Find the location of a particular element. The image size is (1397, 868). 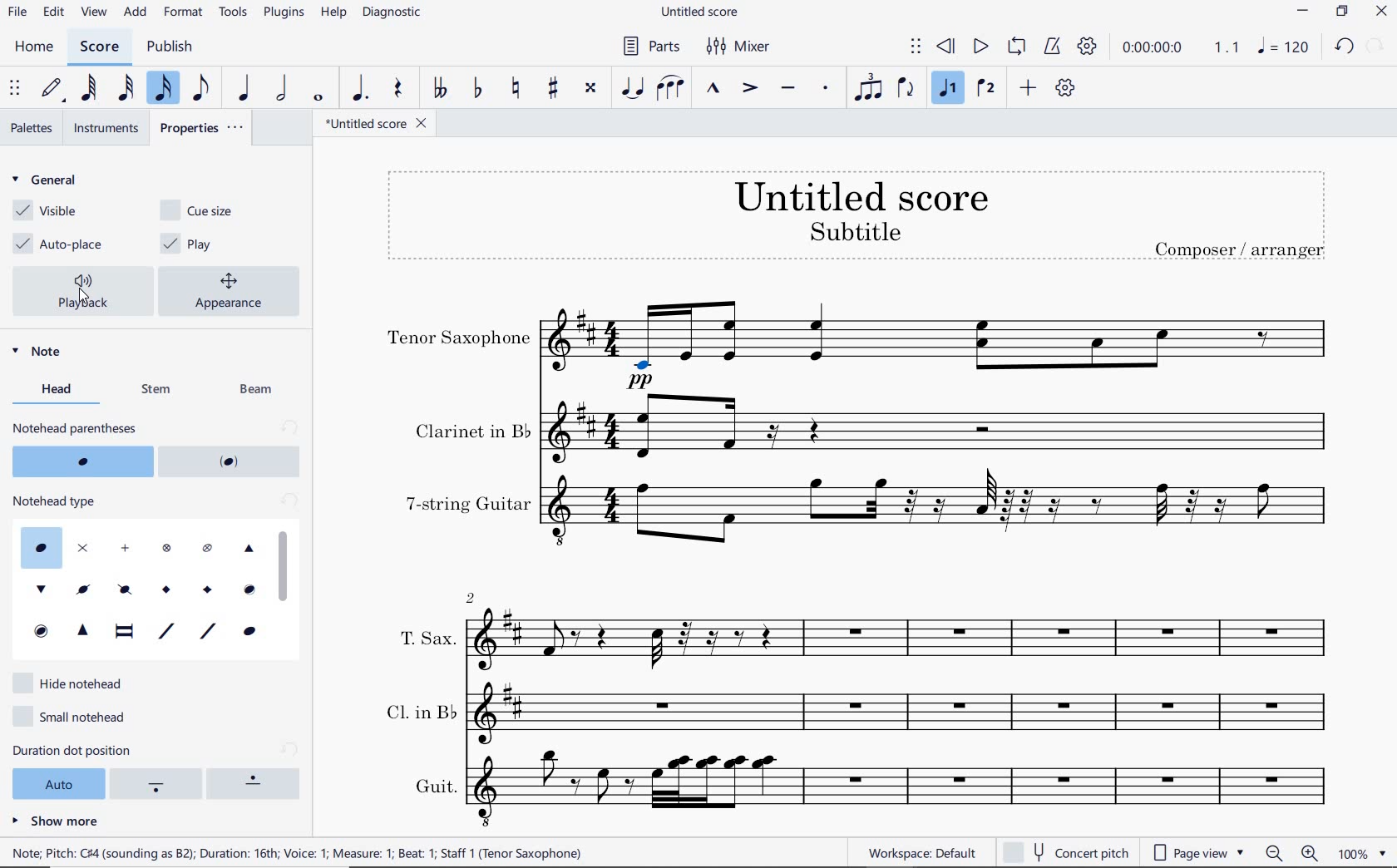

zoom out is located at coordinates (1275, 853).